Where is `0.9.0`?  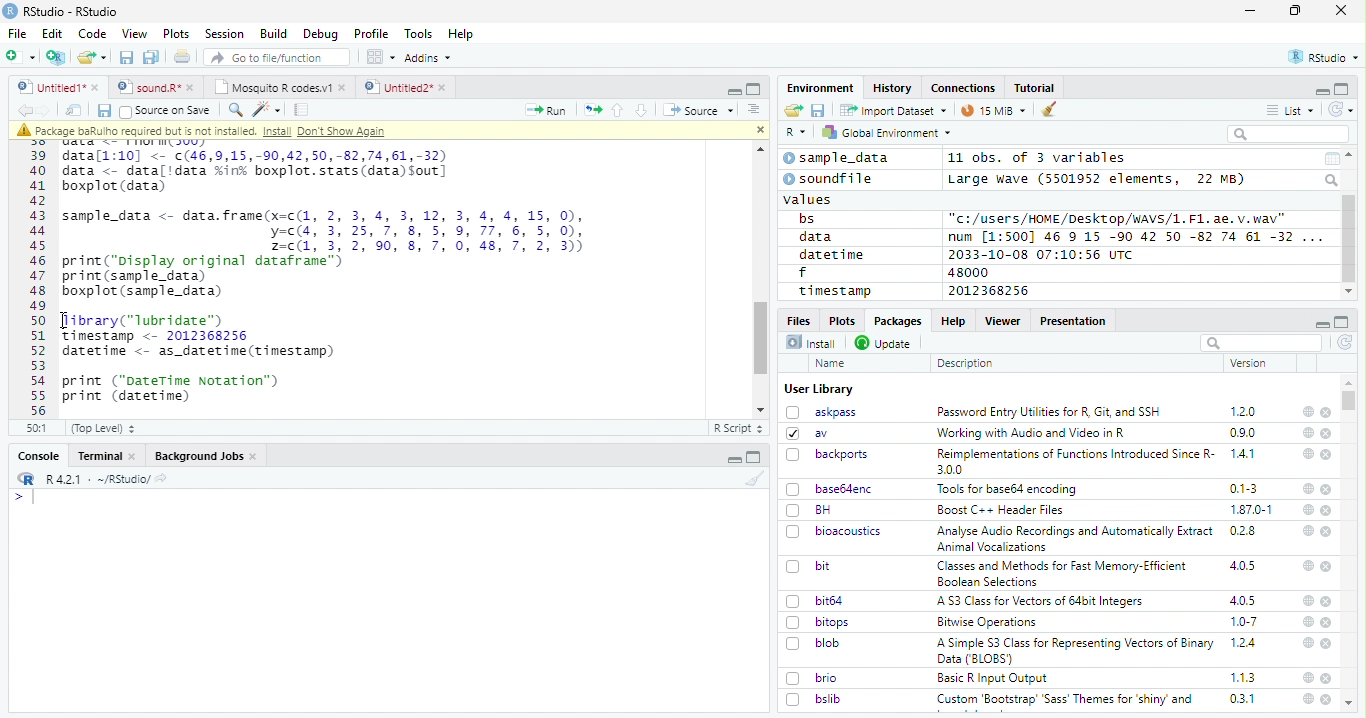 0.9.0 is located at coordinates (1243, 433).